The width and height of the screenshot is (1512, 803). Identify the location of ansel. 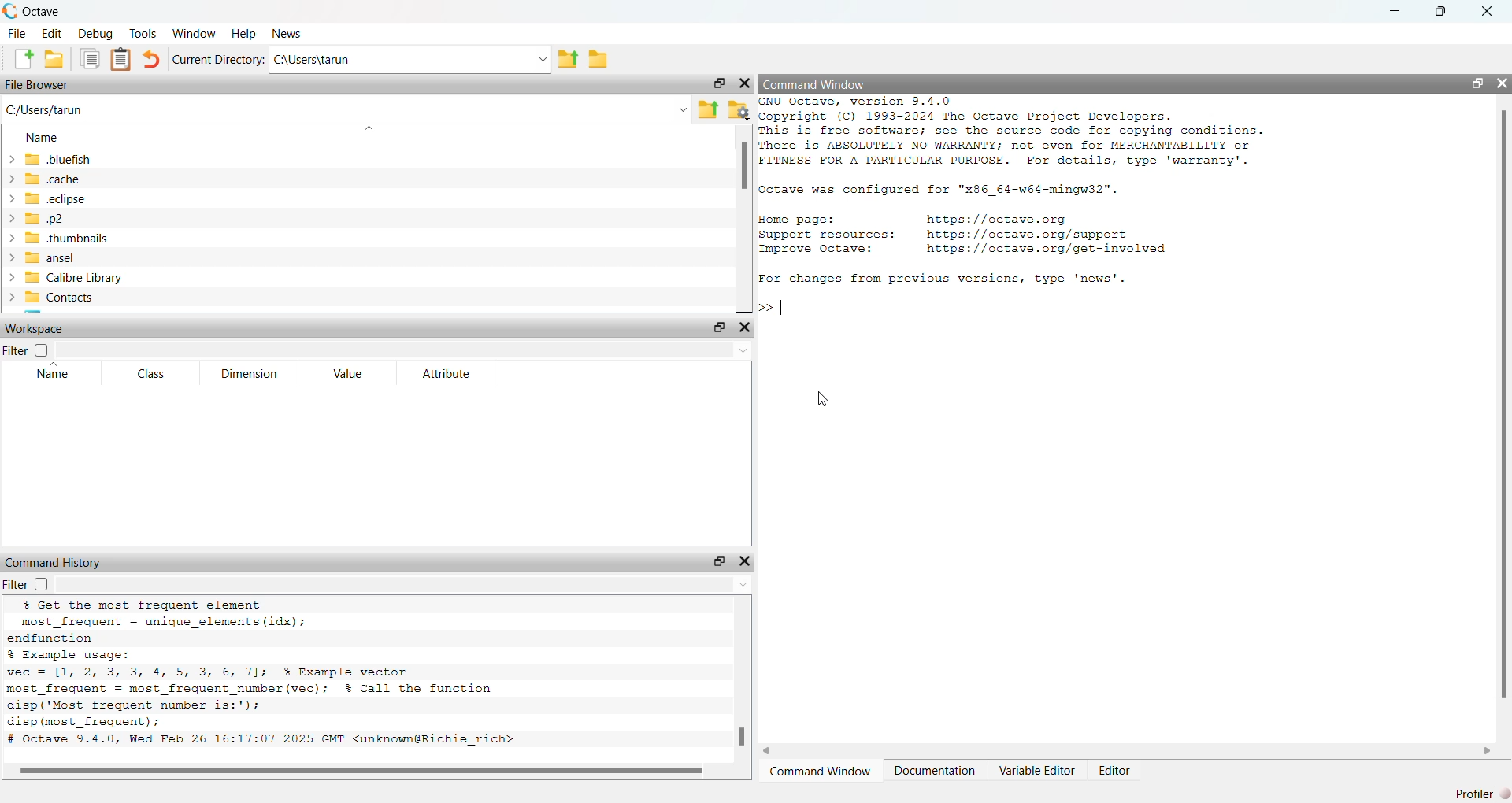
(52, 257).